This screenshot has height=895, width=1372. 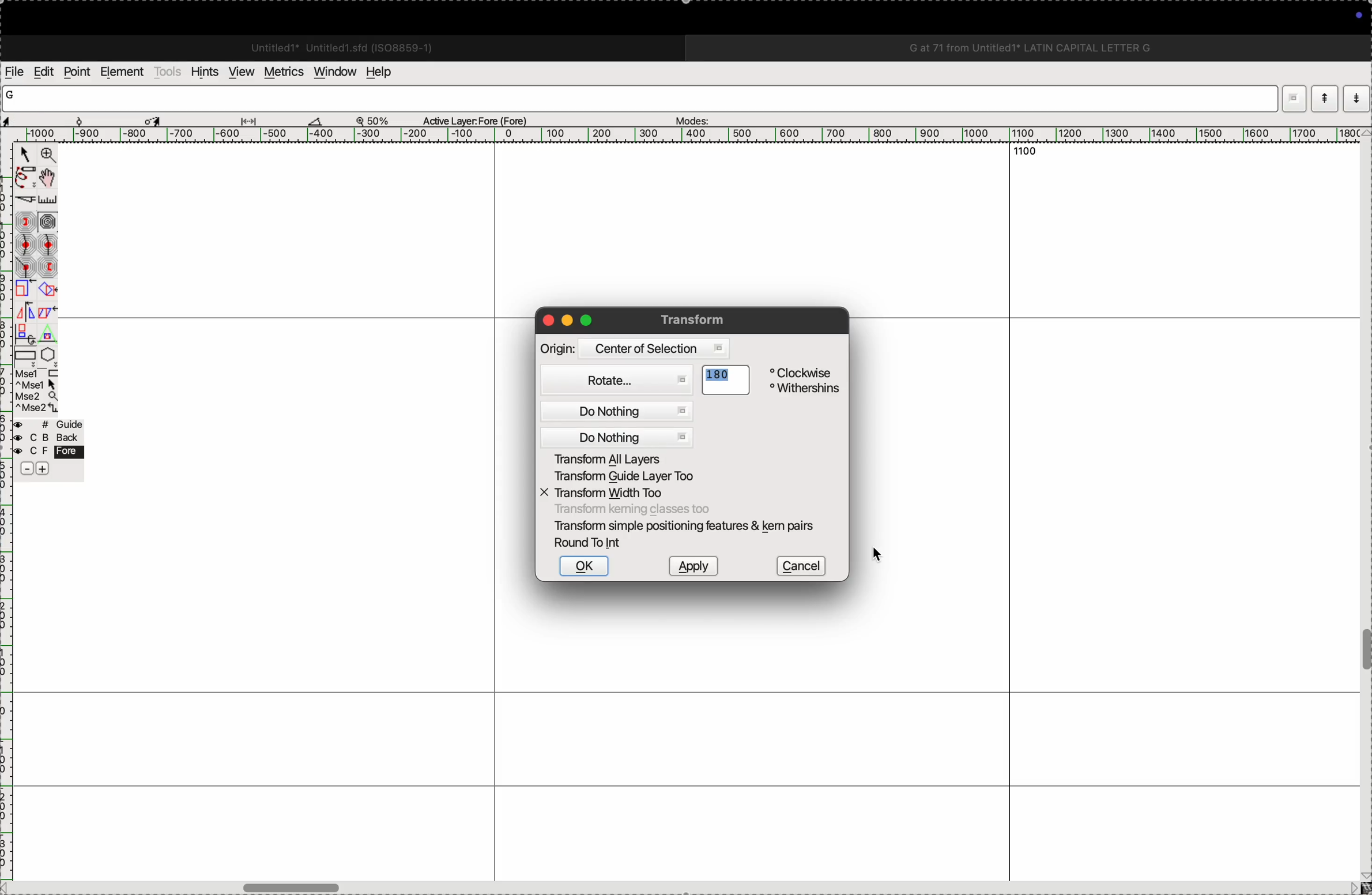 What do you see at coordinates (888, 554) in the screenshot?
I see `cursor` at bounding box center [888, 554].